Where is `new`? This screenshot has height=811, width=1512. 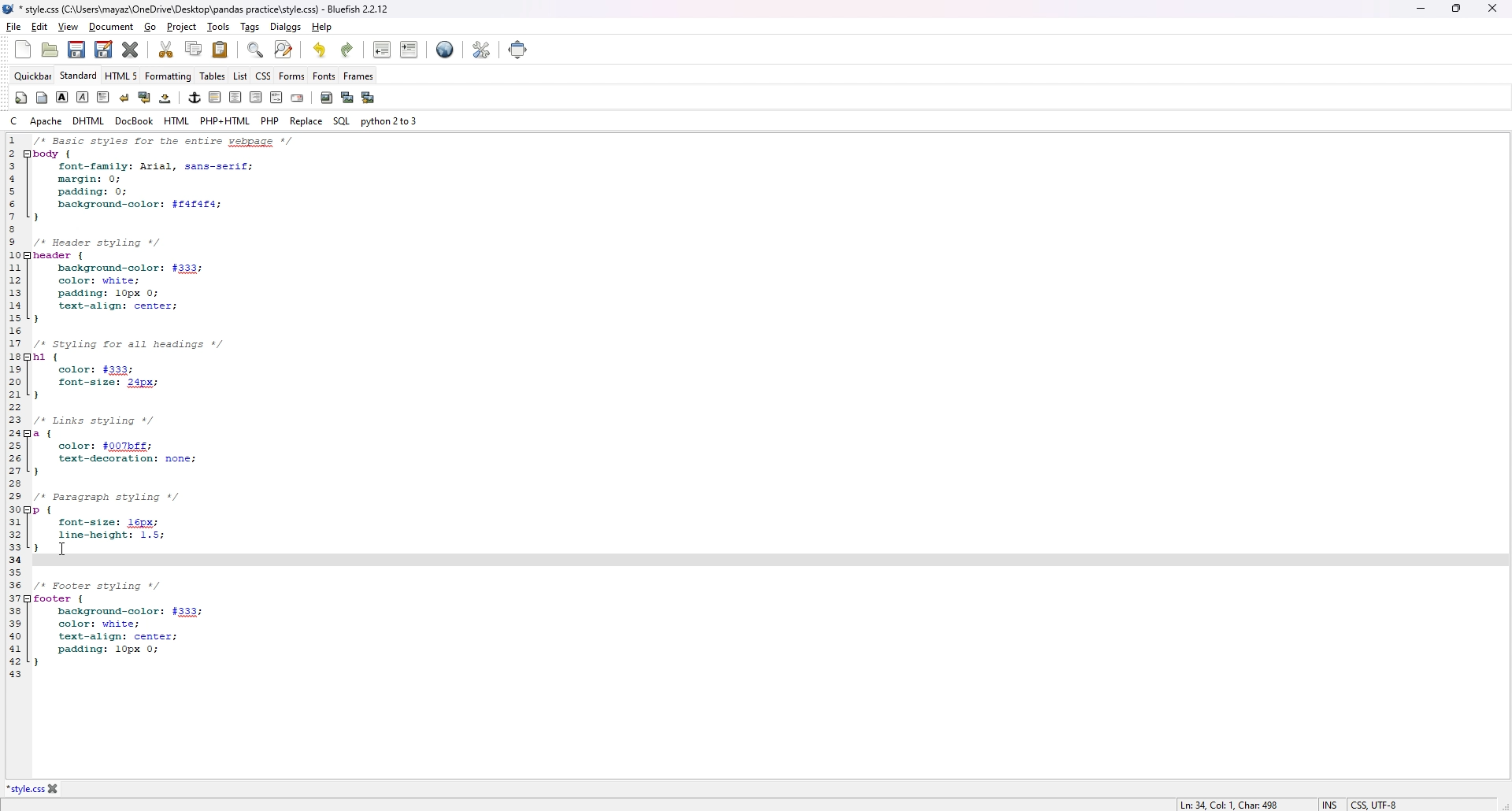 new is located at coordinates (23, 49).